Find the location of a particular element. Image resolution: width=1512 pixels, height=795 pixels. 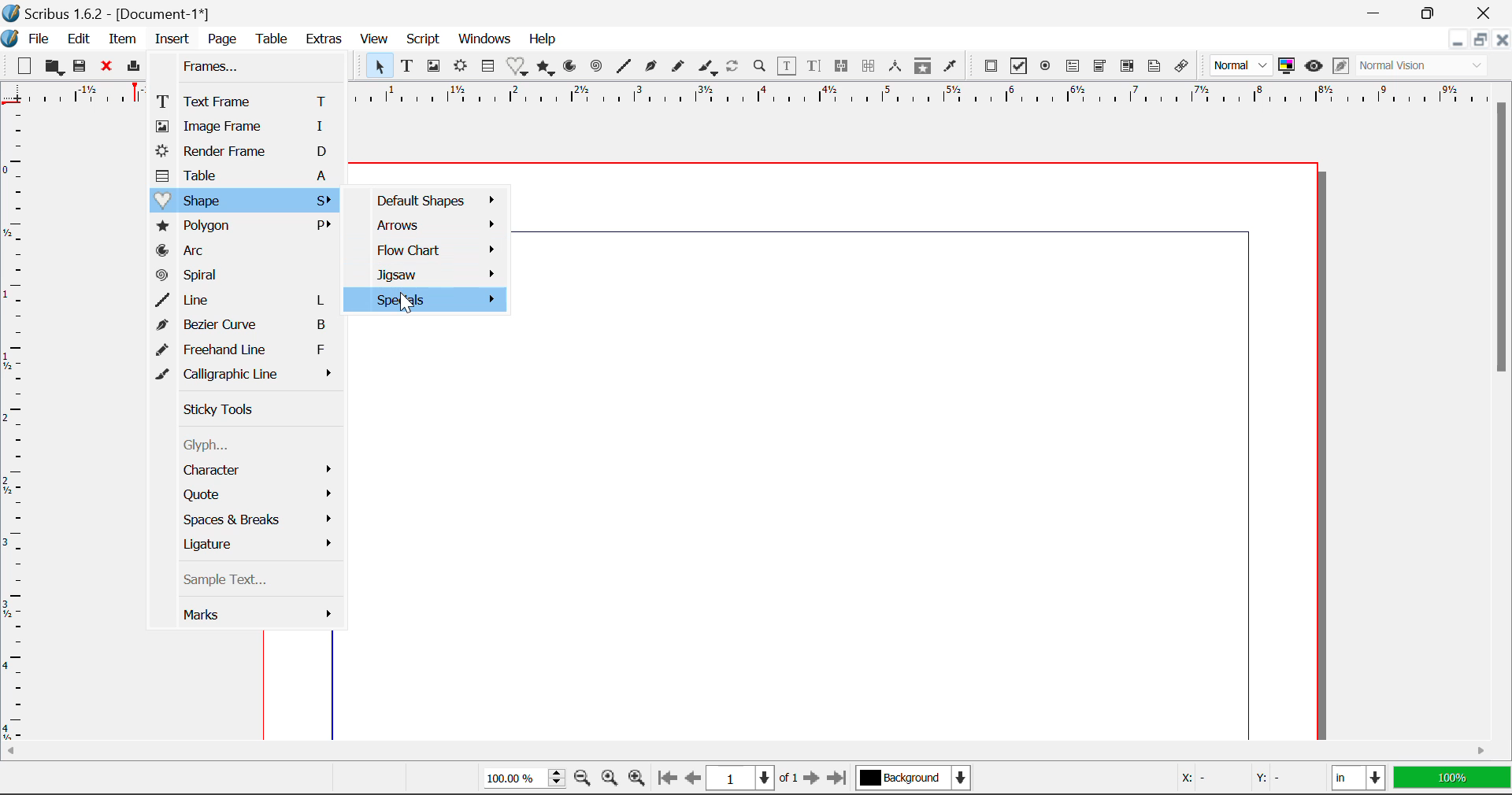

in is located at coordinates (1358, 778).